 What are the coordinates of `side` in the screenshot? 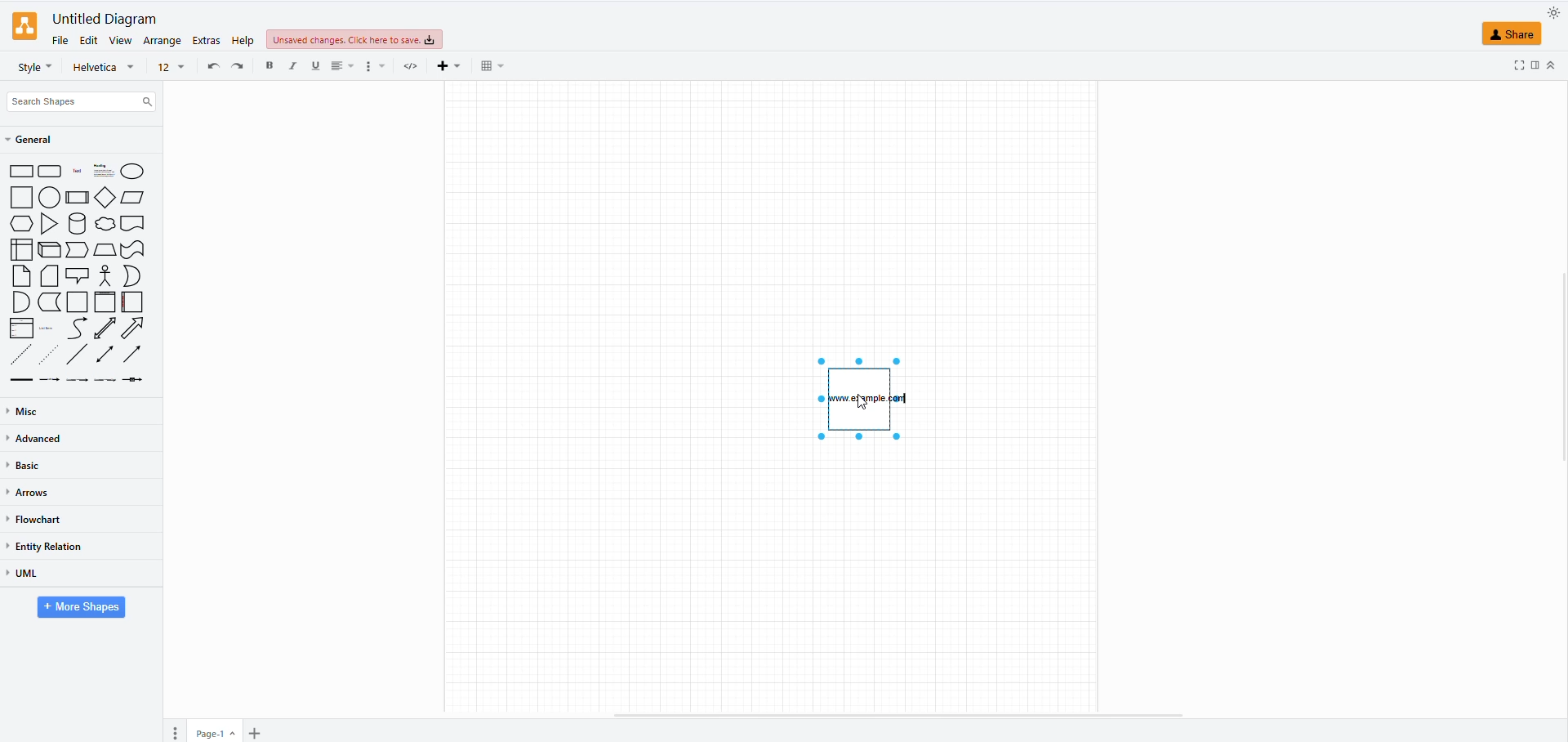 It's located at (1535, 65).